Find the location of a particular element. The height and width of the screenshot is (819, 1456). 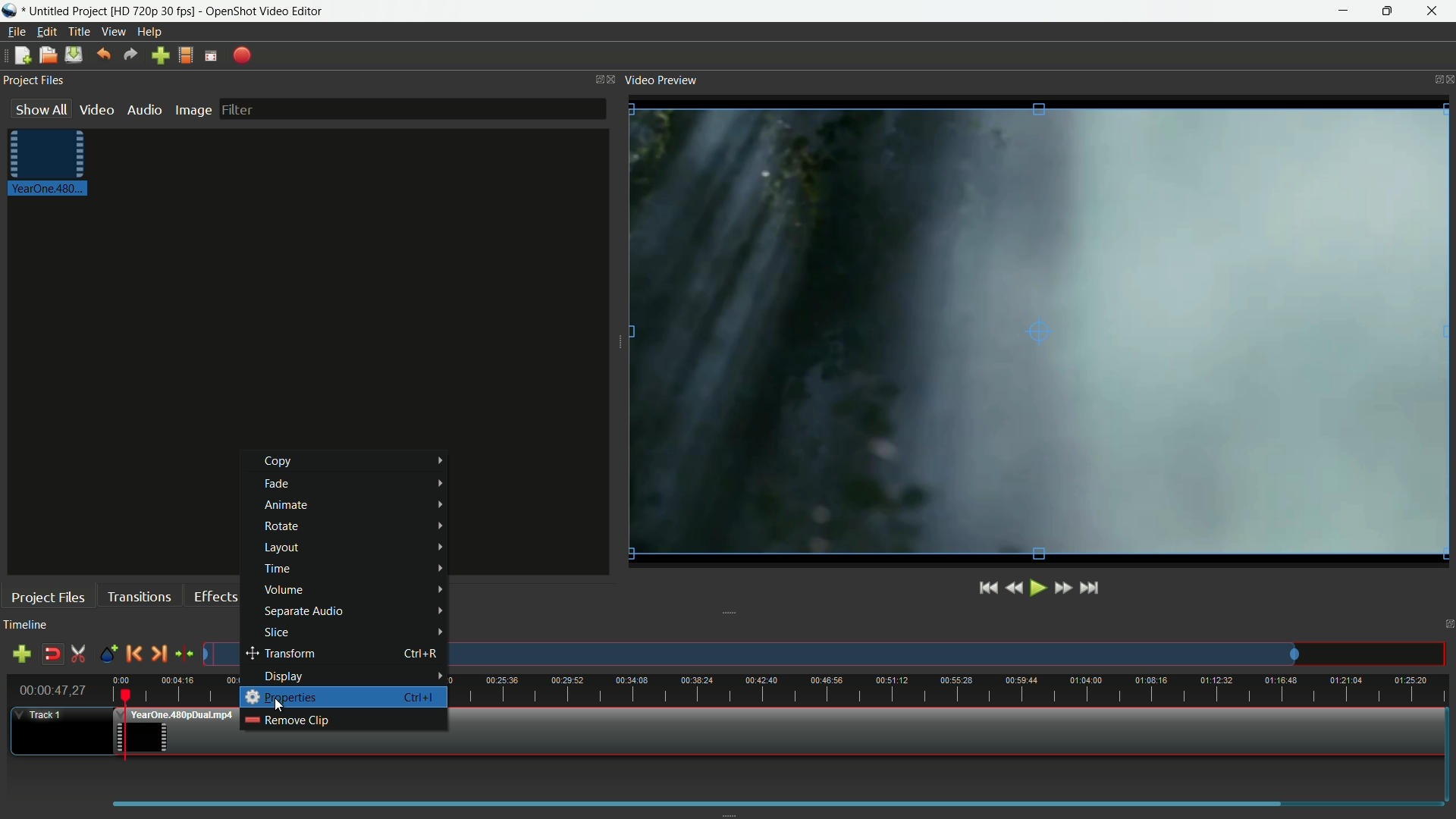

properties is located at coordinates (283, 698).